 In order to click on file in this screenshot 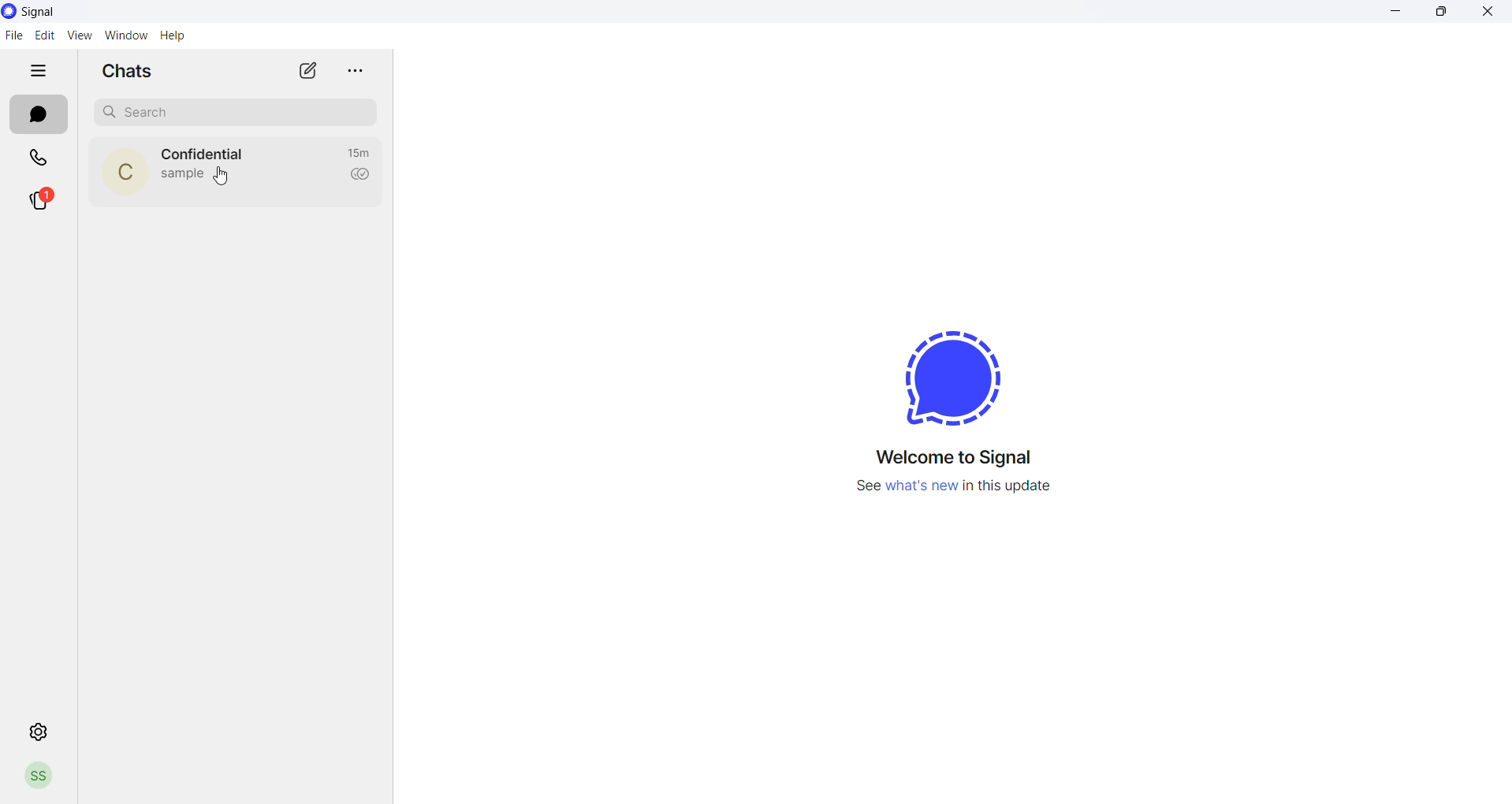, I will do `click(15, 35)`.